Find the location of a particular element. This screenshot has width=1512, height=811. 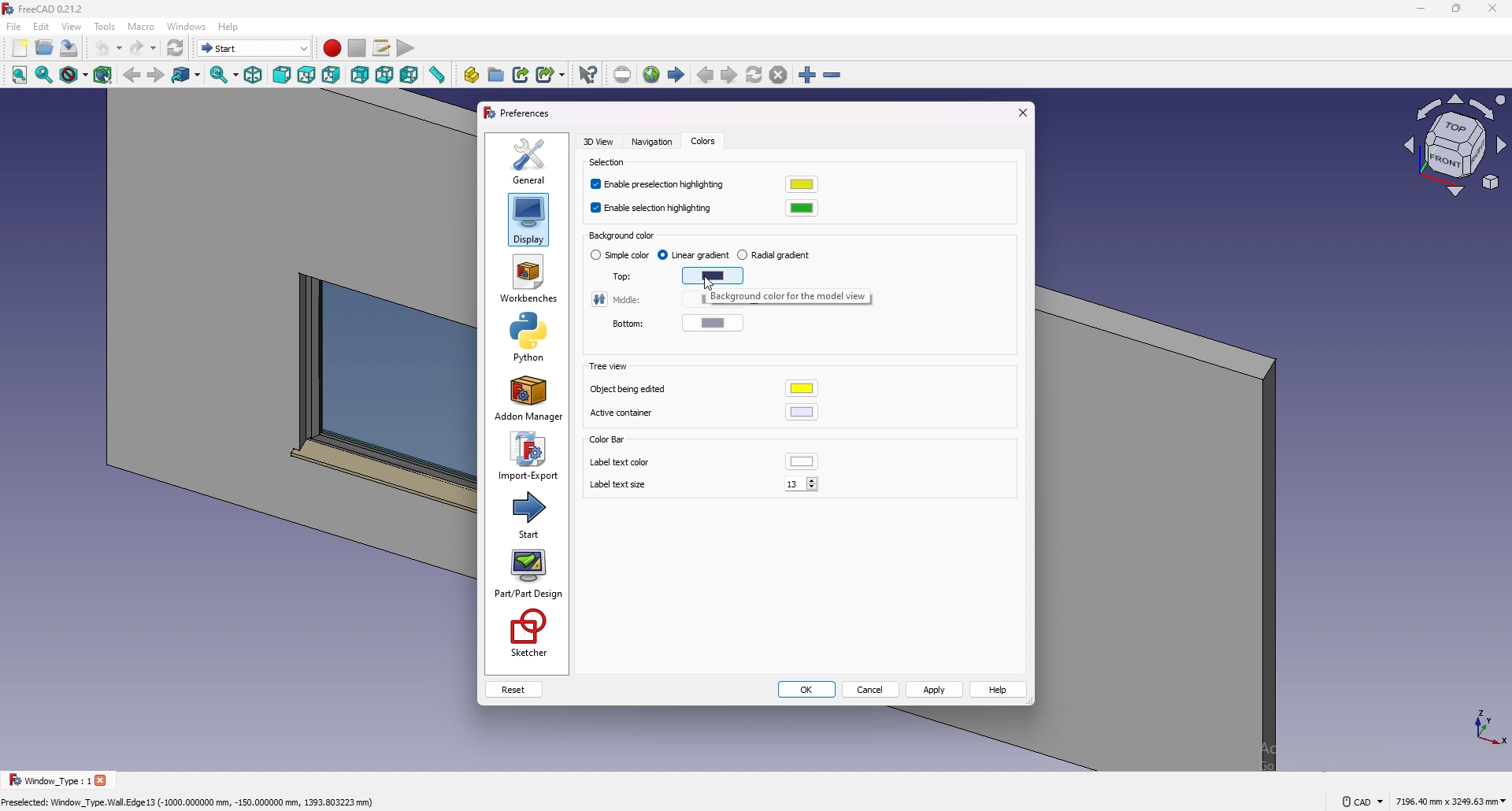

stop loading is located at coordinates (779, 76).